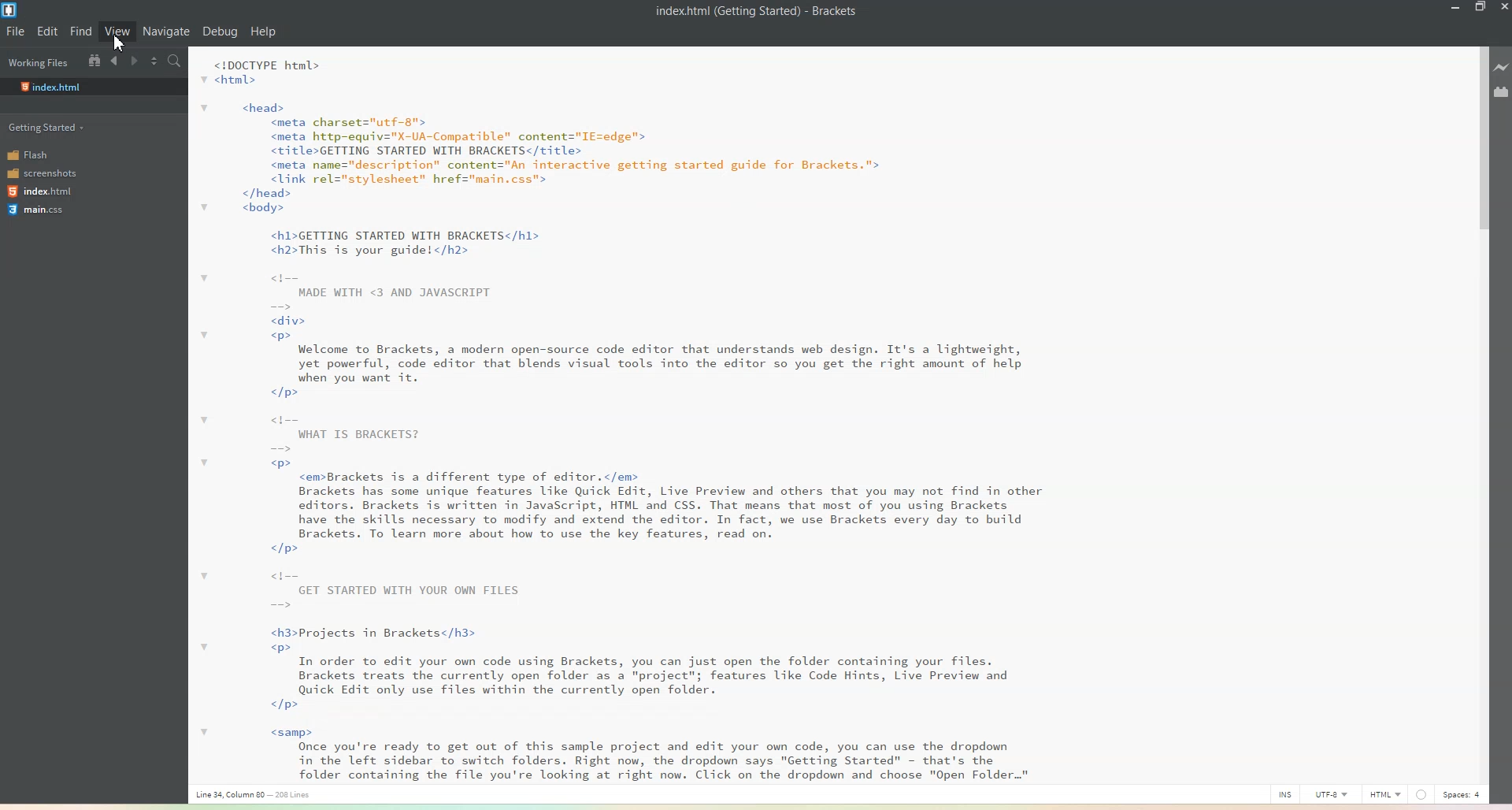  I want to click on main.css, so click(36, 210).